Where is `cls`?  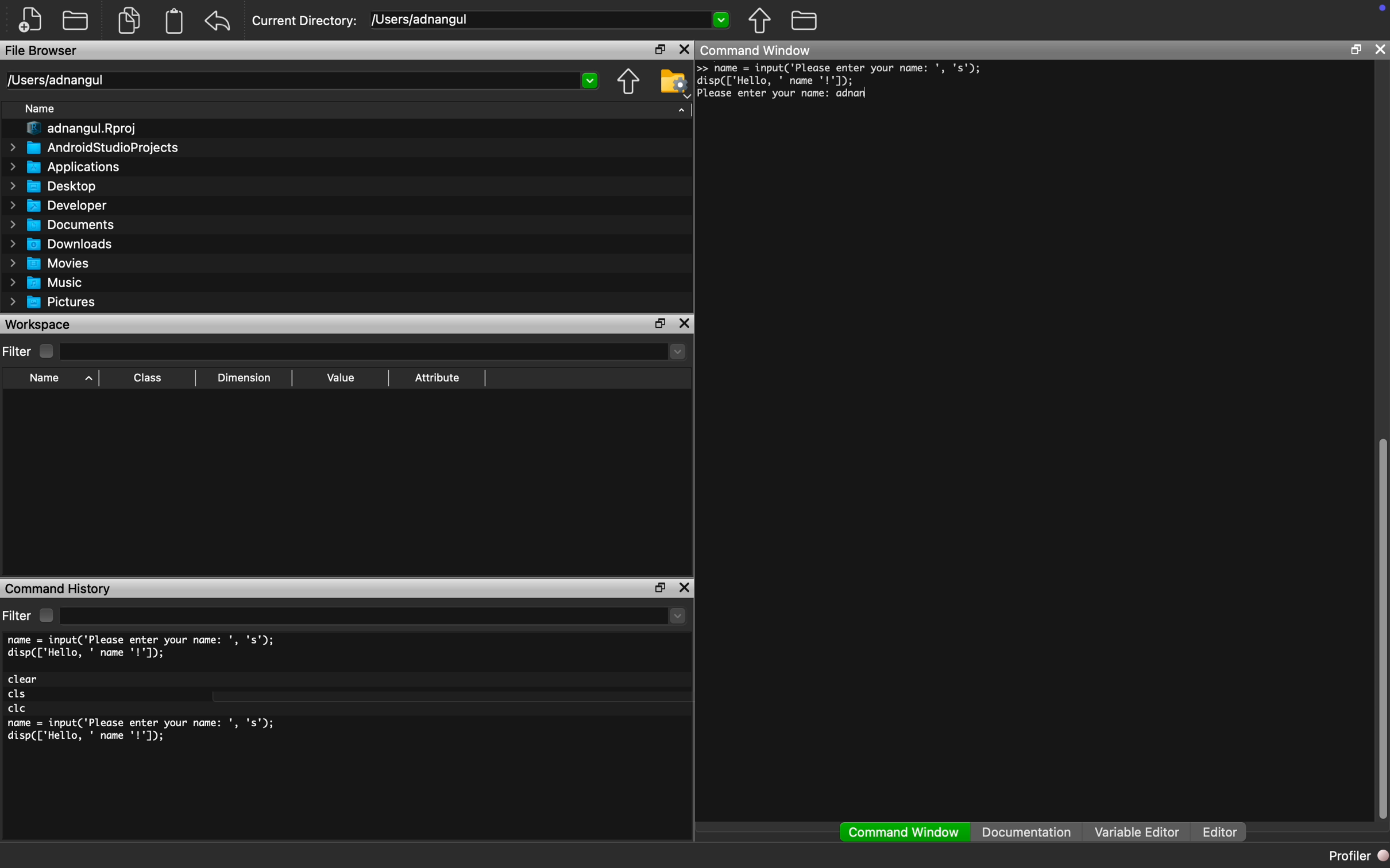
cls is located at coordinates (18, 695).